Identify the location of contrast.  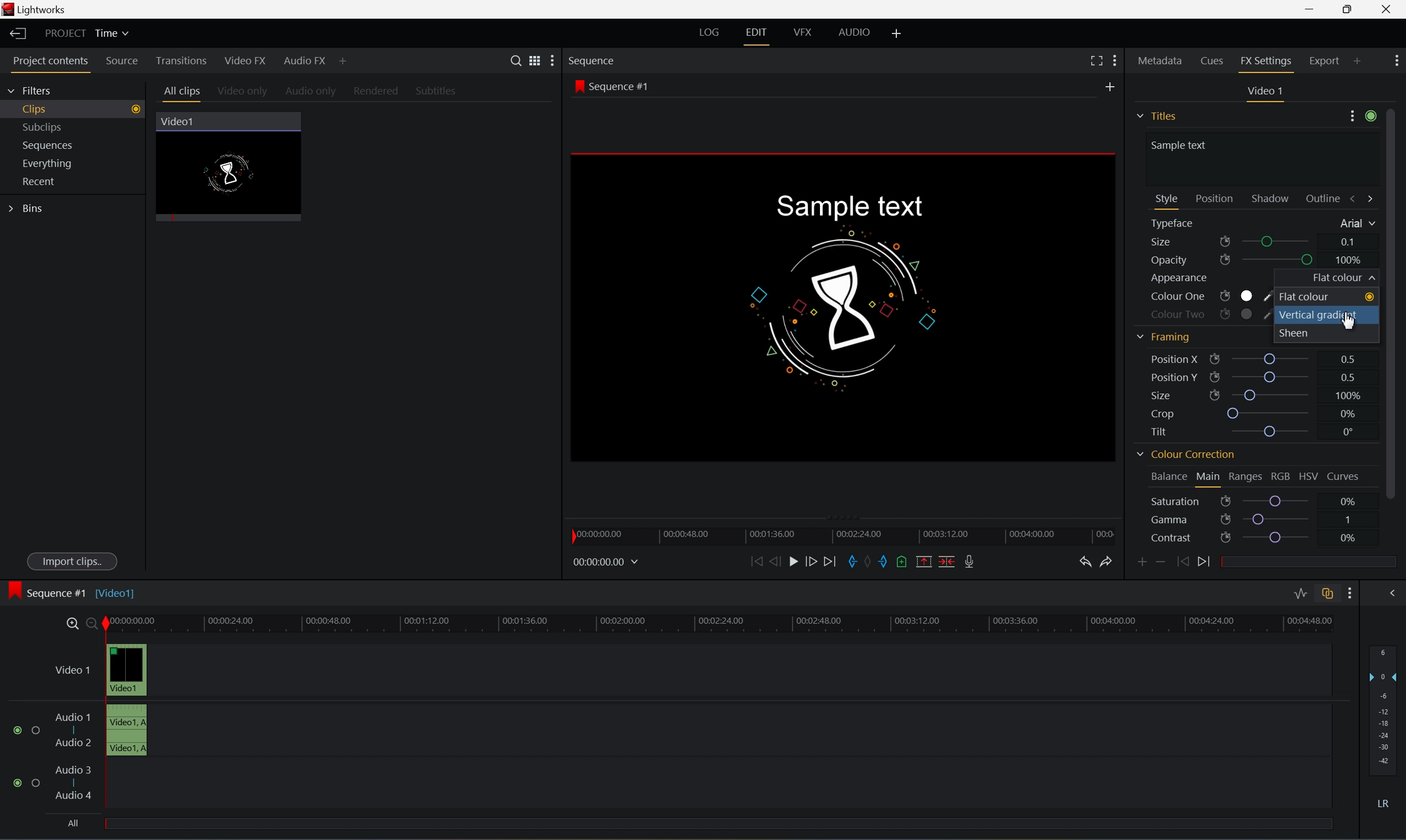
(1190, 539).